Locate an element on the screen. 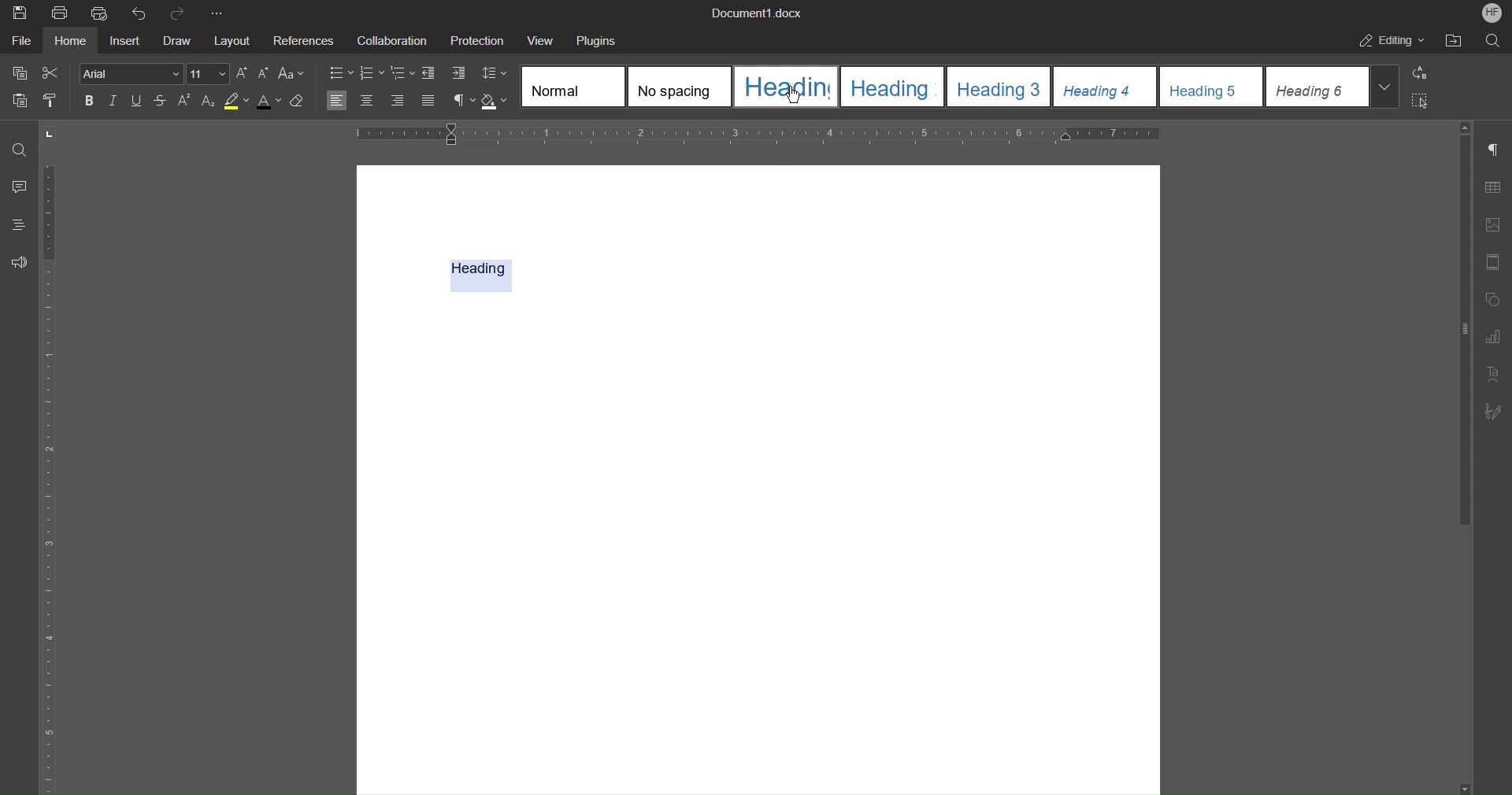 The image size is (1512, 795). vertical scroll bar is located at coordinates (1461, 336).